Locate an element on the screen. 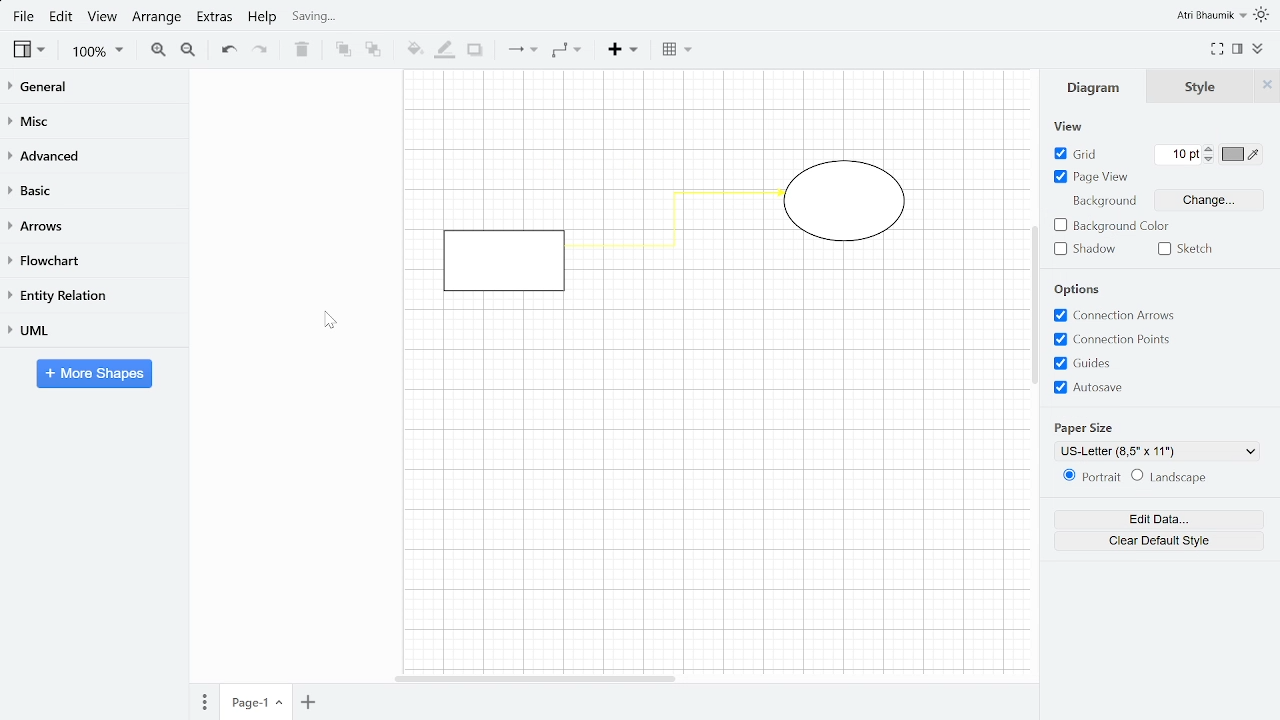 This screenshot has width=1280, height=720. Paper view is located at coordinates (1090, 176).